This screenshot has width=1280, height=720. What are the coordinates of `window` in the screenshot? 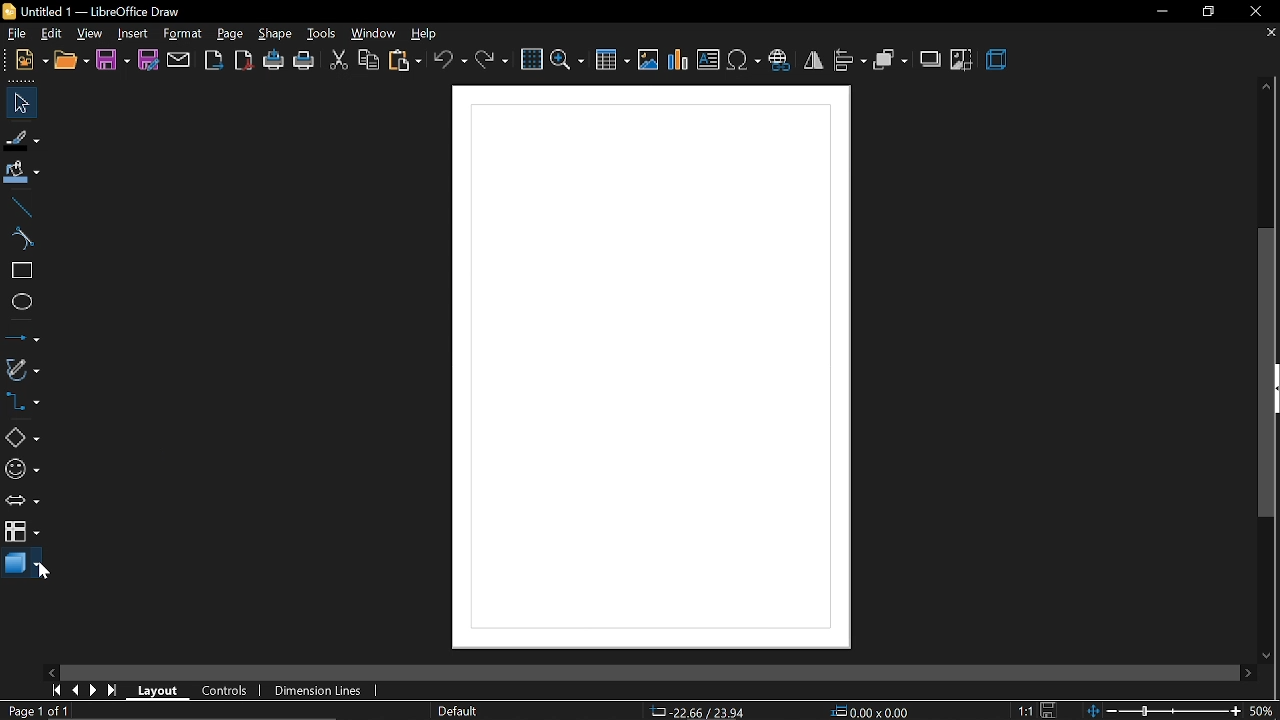 It's located at (374, 35).